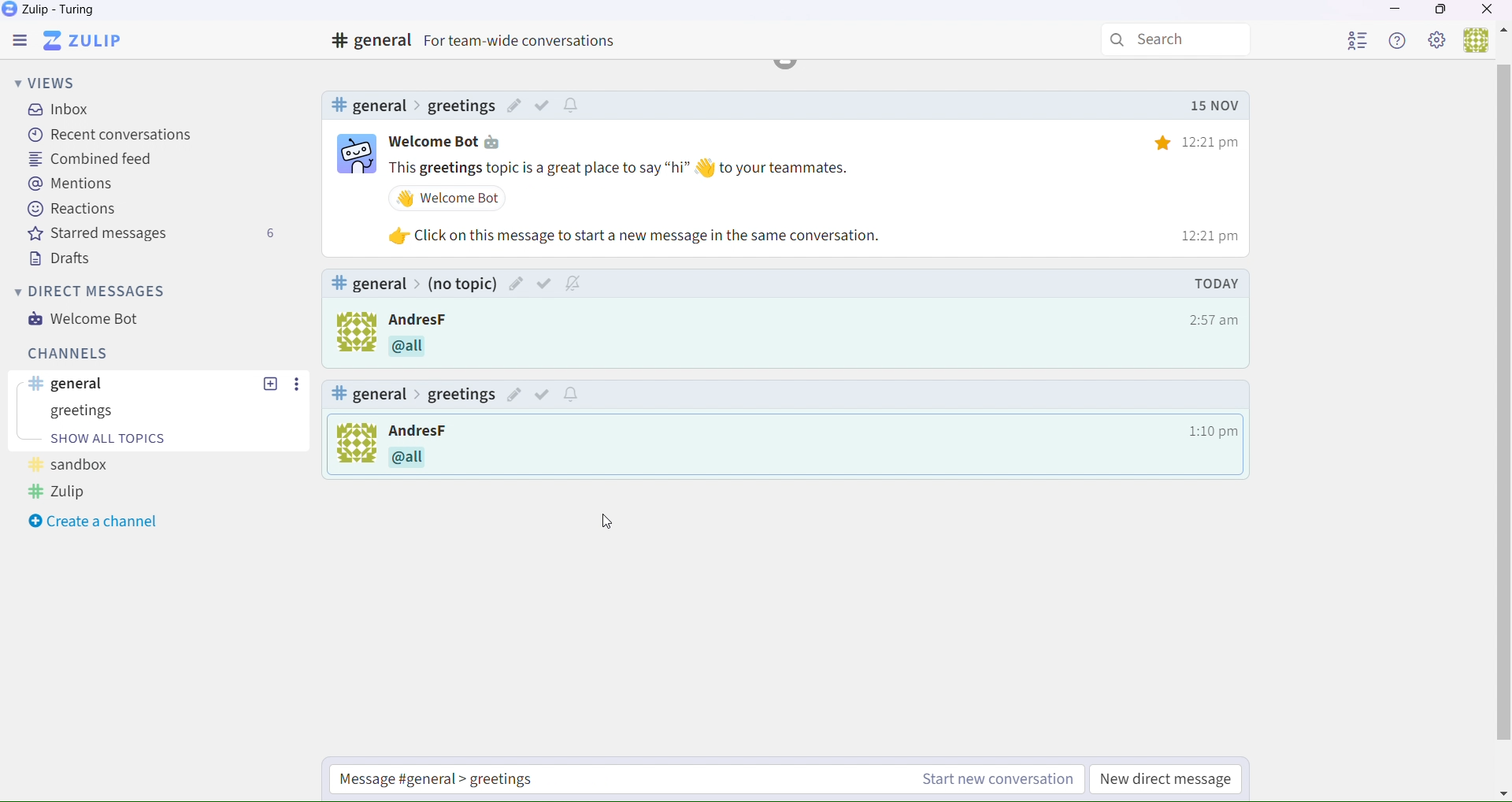 The height and width of the screenshot is (802, 1512). What do you see at coordinates (1211, 429) in the screenshot?
I see `12:21 pm` at bounding box center [1211, 429].